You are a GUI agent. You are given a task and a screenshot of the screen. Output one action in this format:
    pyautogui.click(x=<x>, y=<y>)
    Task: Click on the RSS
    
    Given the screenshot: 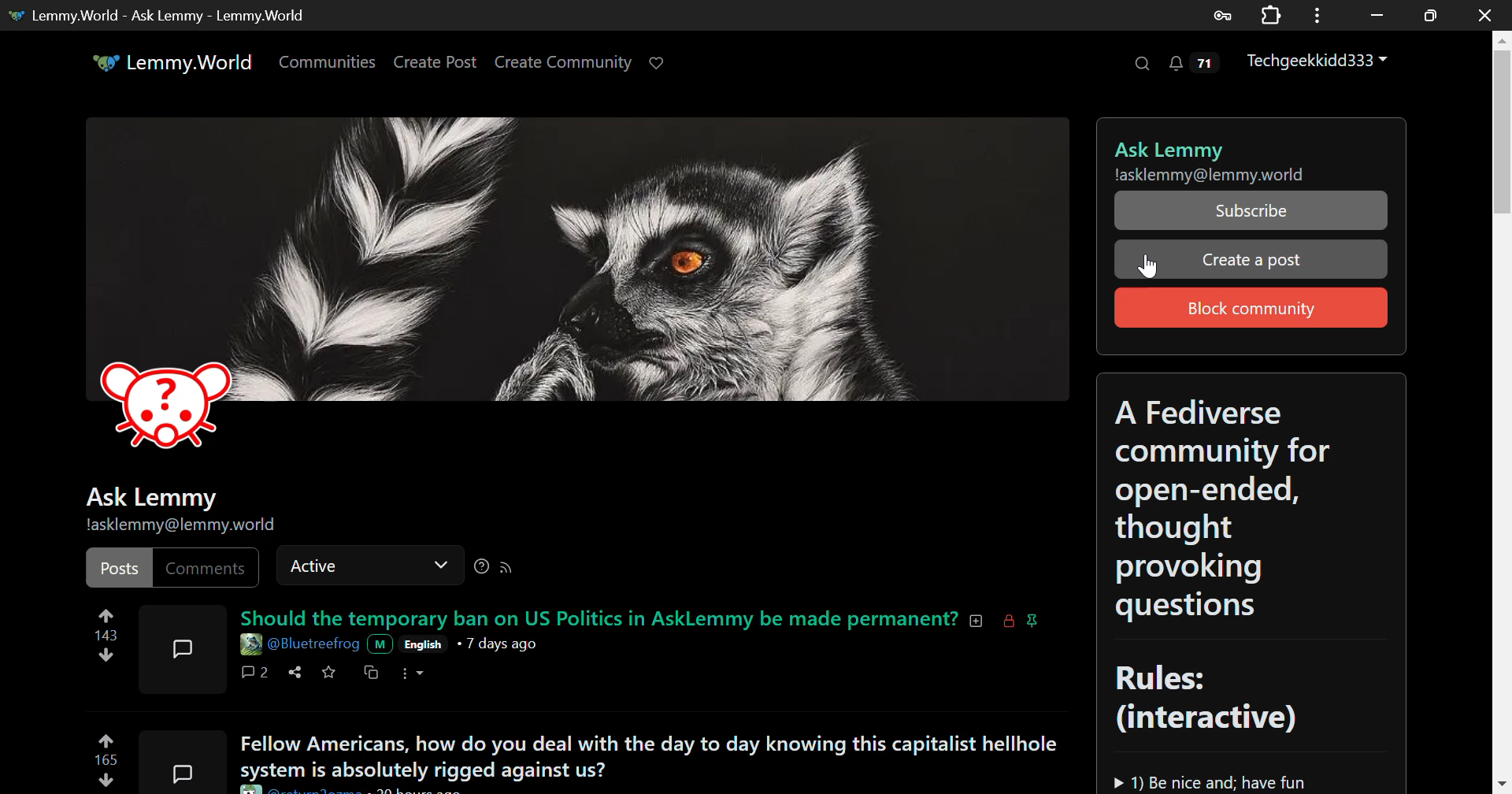 What is the action you would take?
    pyautogui.click(x=509, y=570)
    